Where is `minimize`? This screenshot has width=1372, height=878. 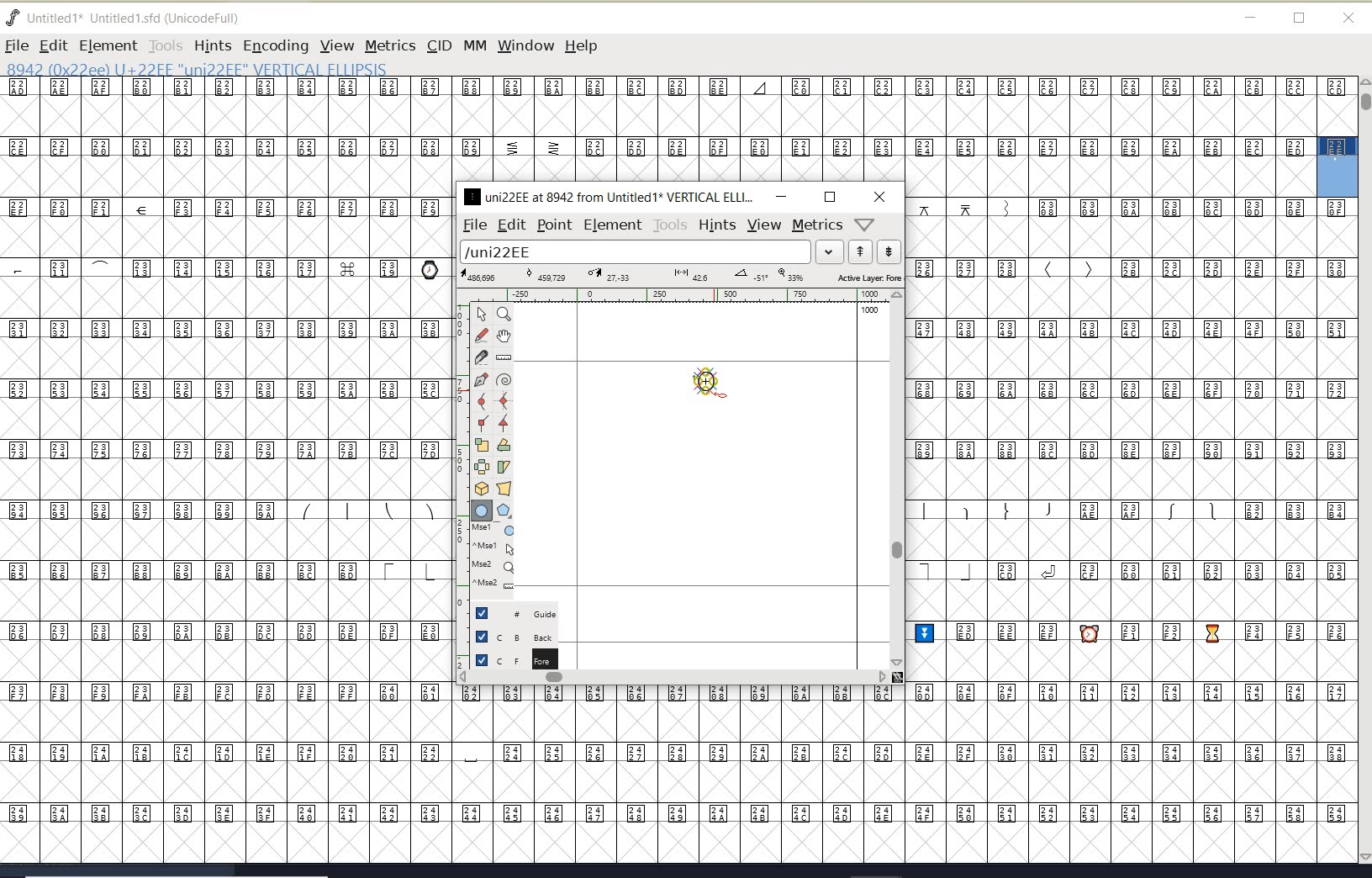 minimize is located at coordinates (781, 196).